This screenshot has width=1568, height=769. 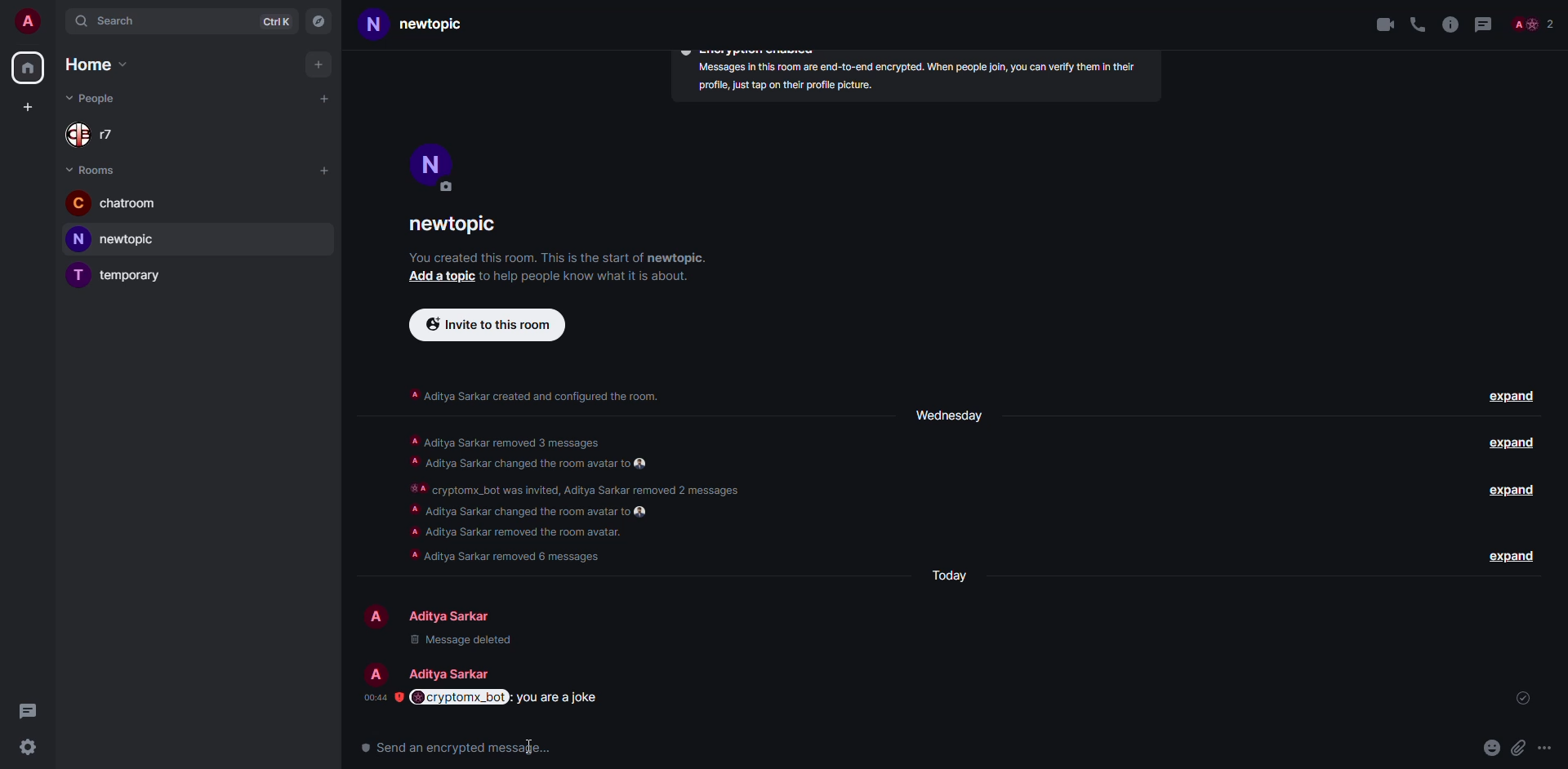 I want to click on navigator, so click(x=320, y=21).